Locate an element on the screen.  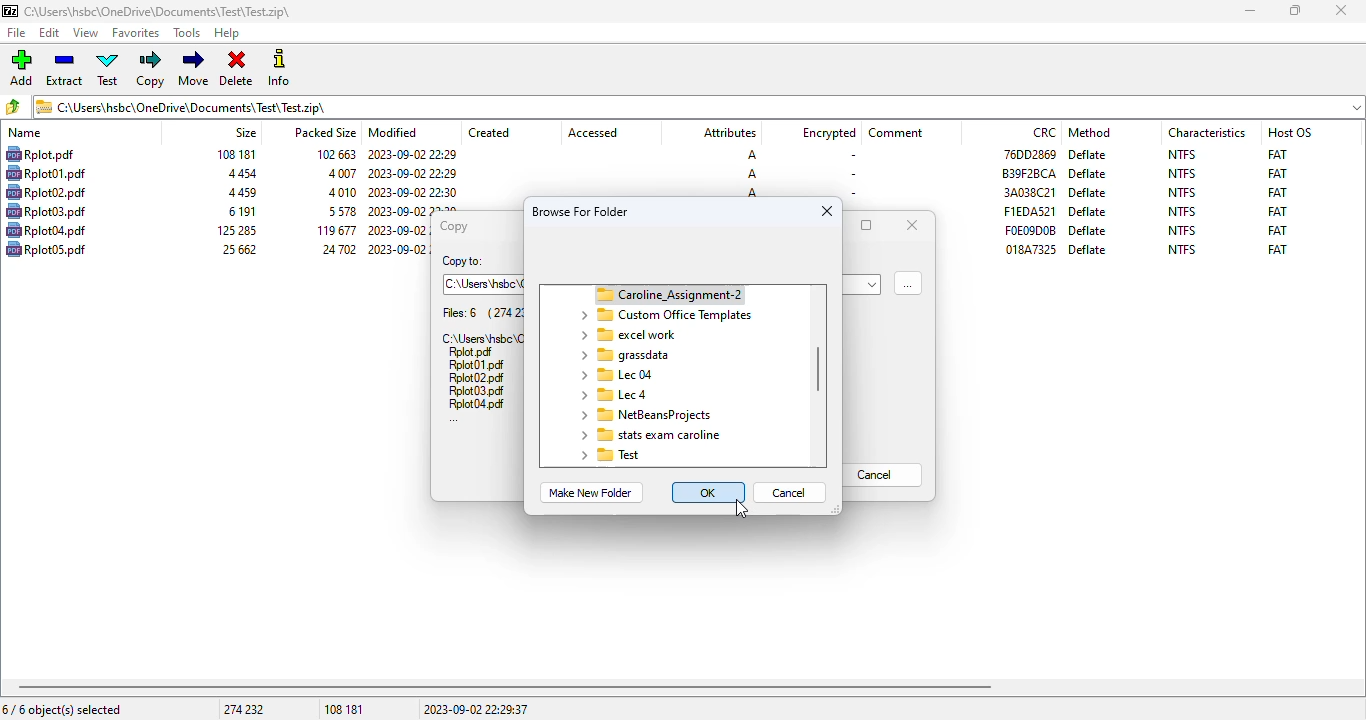
characteristics is located at coordinates (1207, 132).